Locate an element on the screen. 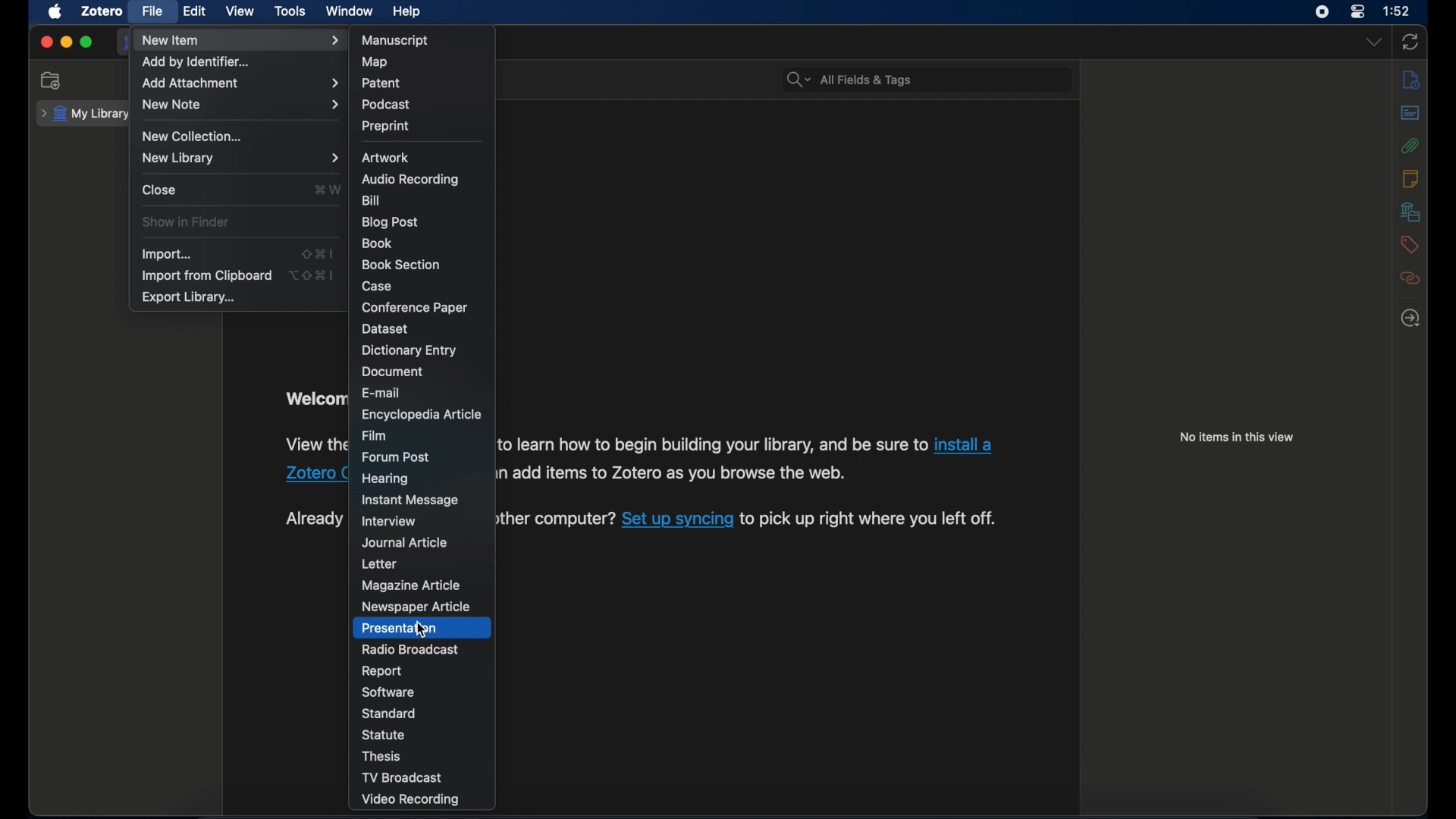 This screenshot has height=819, width=1456. Already using Zotero on another computer? is located at coordinates (557, 516).